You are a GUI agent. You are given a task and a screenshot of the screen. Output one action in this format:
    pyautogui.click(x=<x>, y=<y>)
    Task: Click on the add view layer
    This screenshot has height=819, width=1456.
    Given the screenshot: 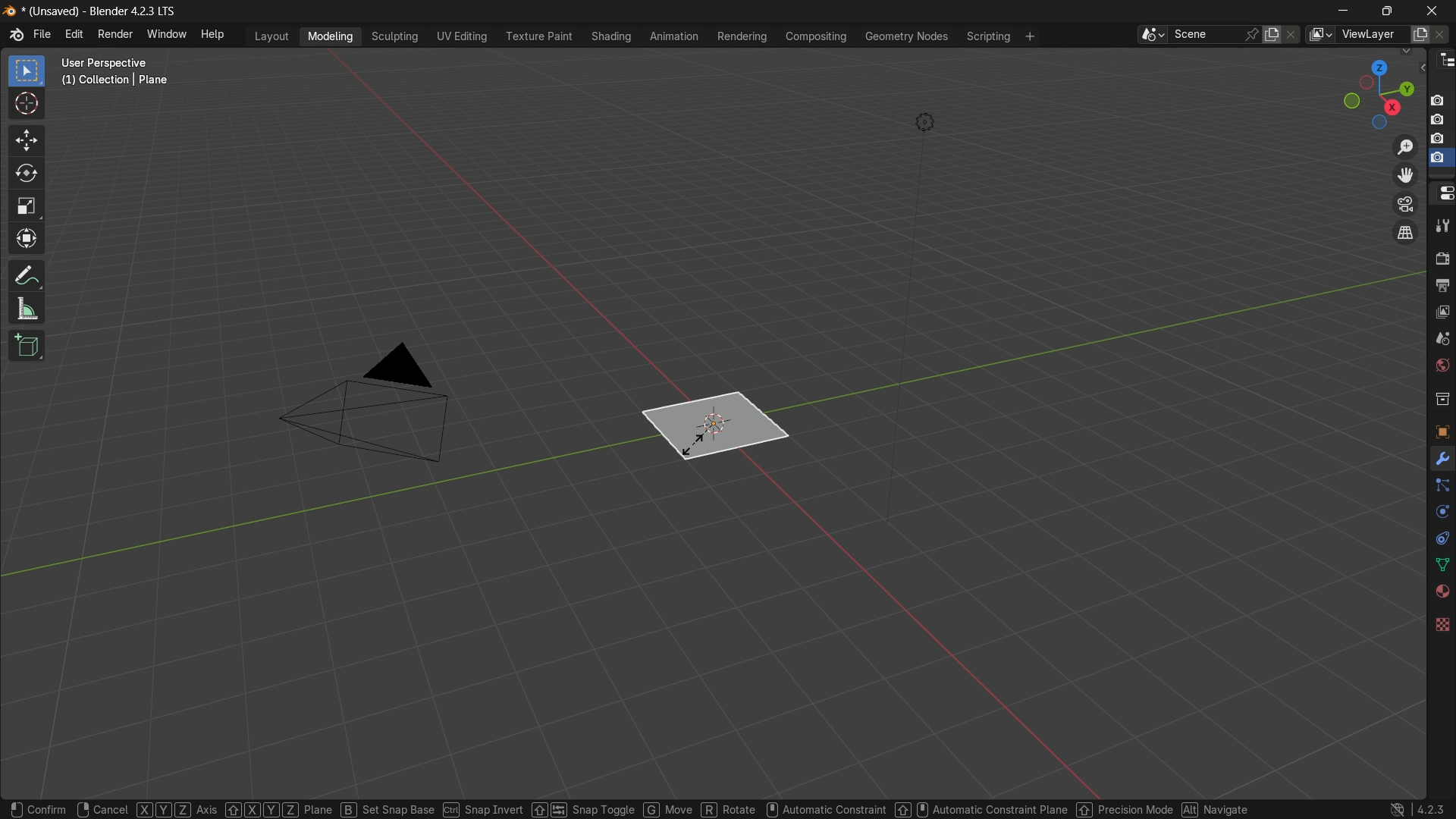 What is the action you would take?
    pyautogui.click(x=1418, y=34)
    